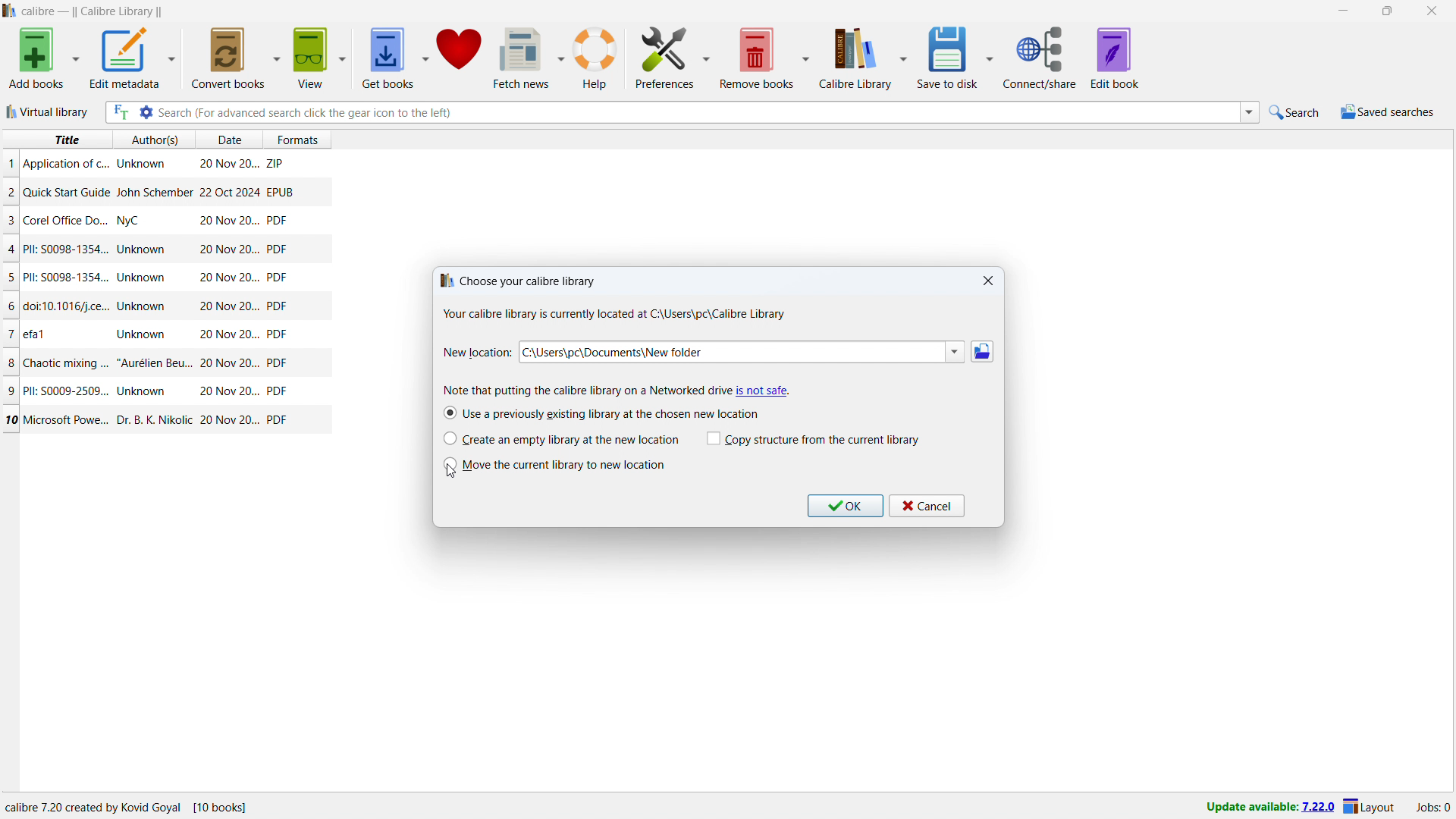  What do you see at coordinates (37, 58) in the screenshot?
I see `add books` at bounding box center [37, 58].